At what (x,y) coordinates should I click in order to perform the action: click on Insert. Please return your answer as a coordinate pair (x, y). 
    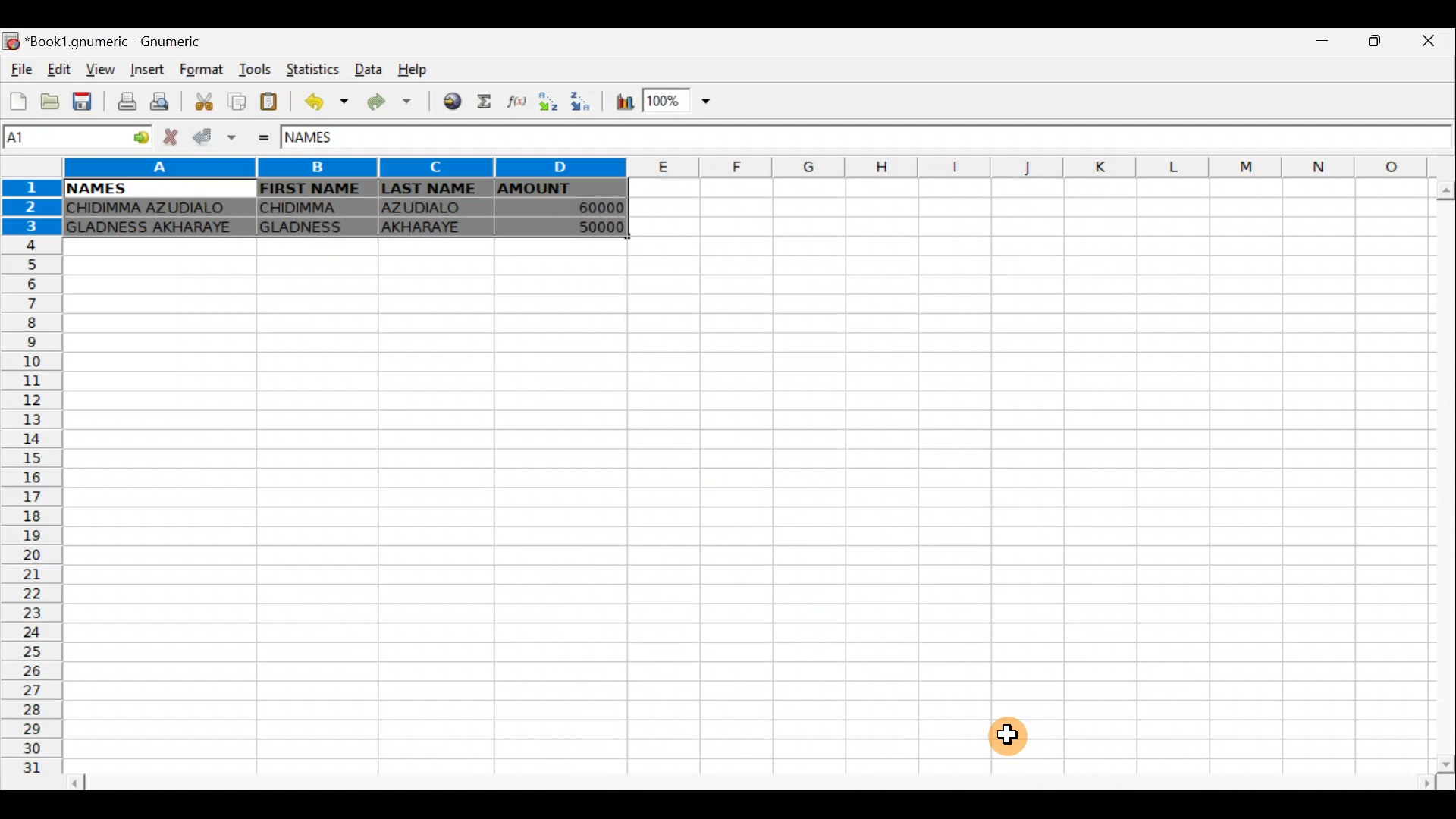
    Looking at the image, I should click on (150, 69).